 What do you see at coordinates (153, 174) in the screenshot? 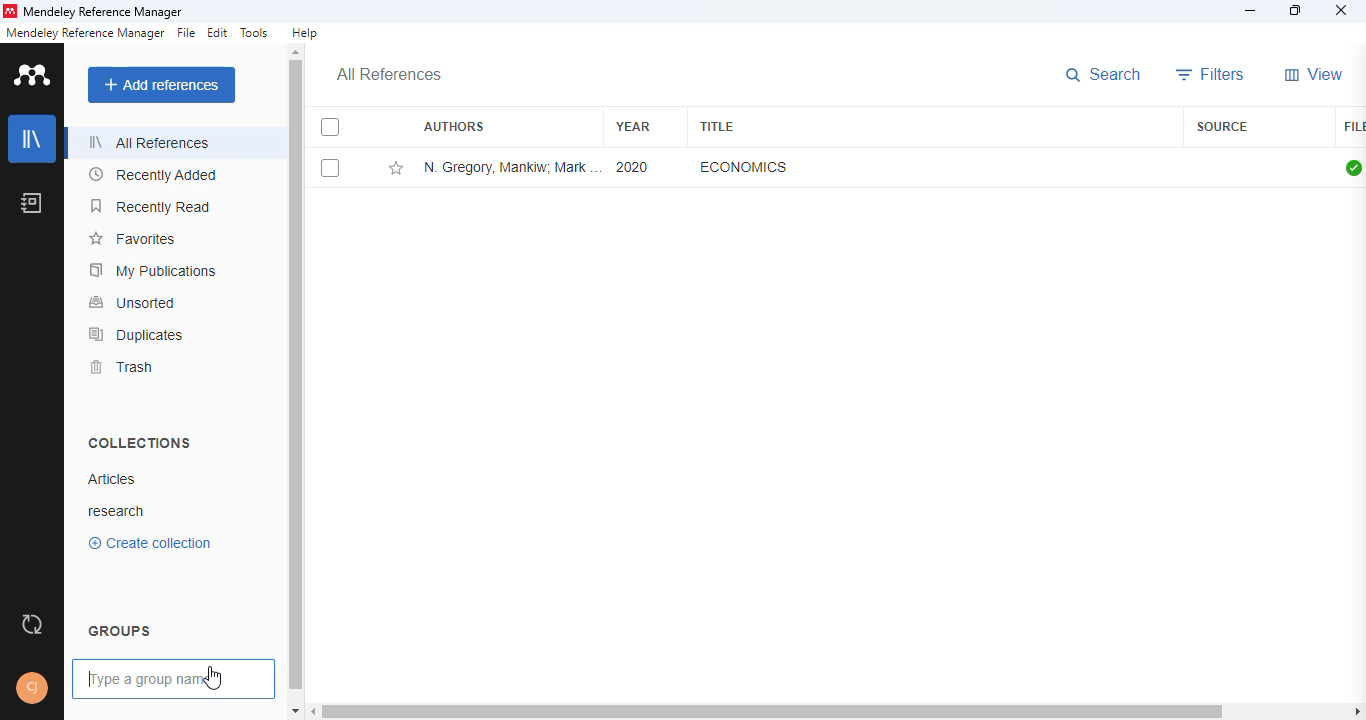
I see `recently added` at bounding box center [153, 174].